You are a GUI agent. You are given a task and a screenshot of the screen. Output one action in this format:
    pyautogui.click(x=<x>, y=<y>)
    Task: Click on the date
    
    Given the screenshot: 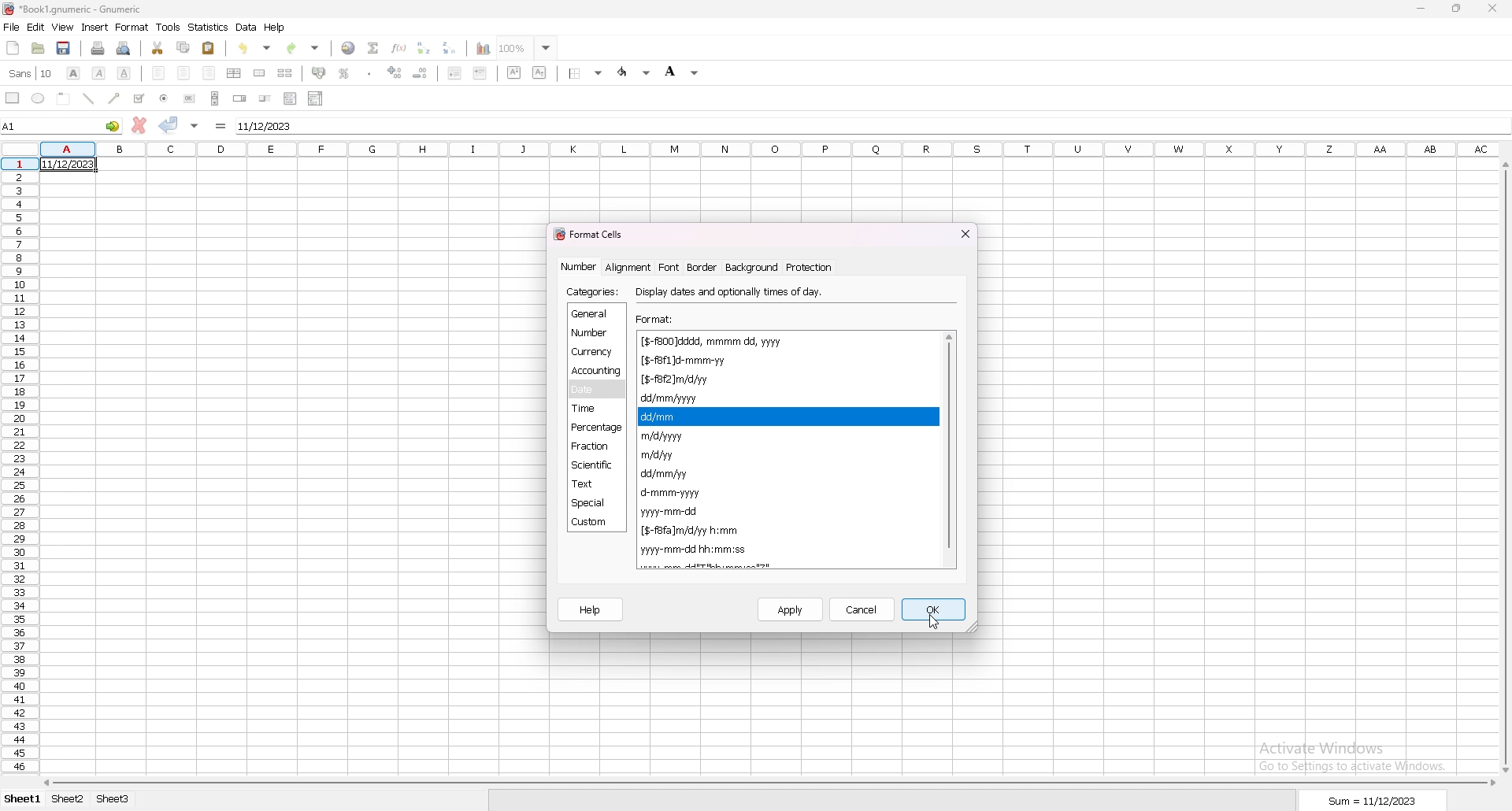 What is the action you would take?
    pyautogui.click(x=596, y=390)
    